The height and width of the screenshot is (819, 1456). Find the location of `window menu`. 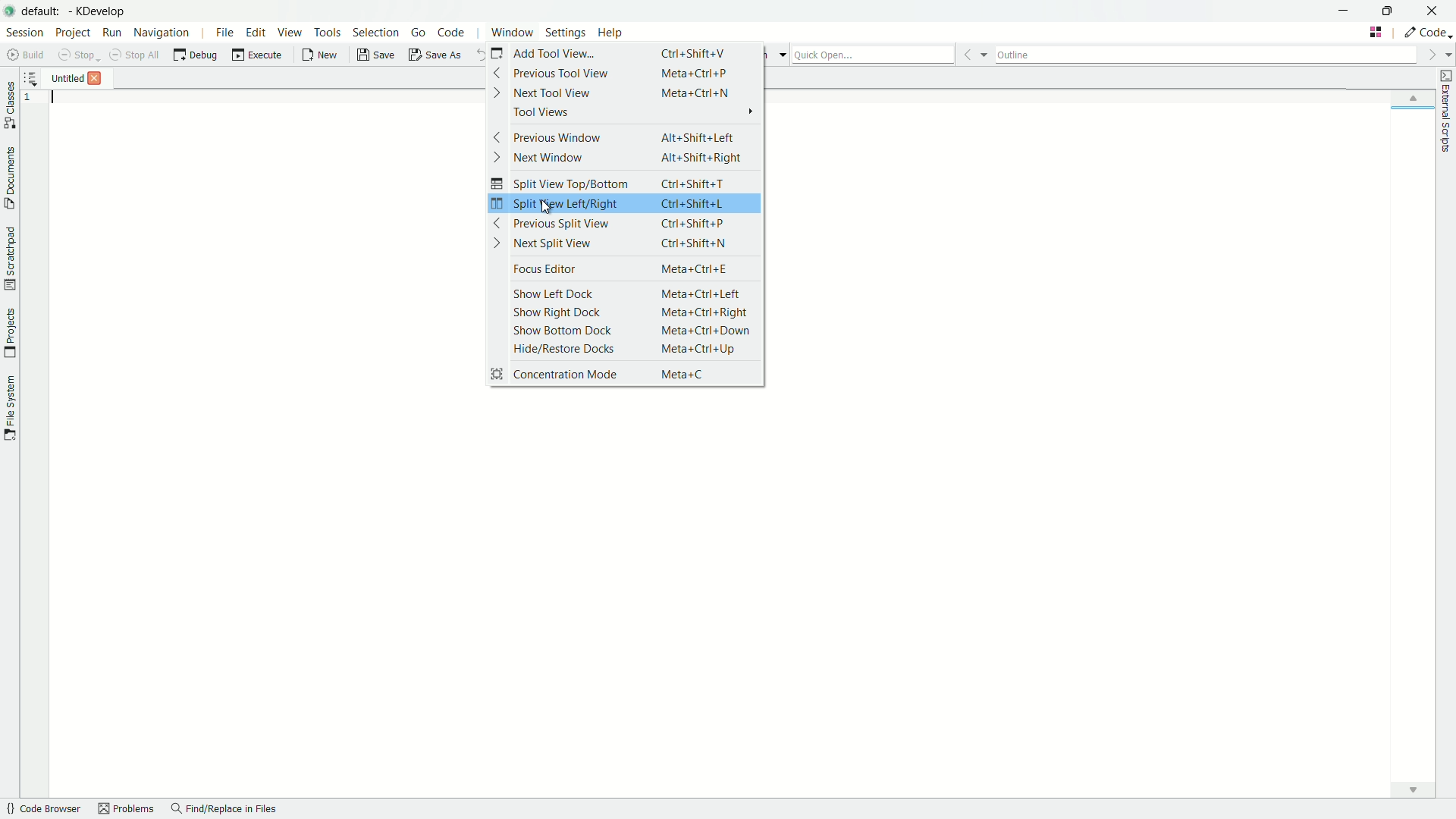

window menu is located at coordinates (513, 33).